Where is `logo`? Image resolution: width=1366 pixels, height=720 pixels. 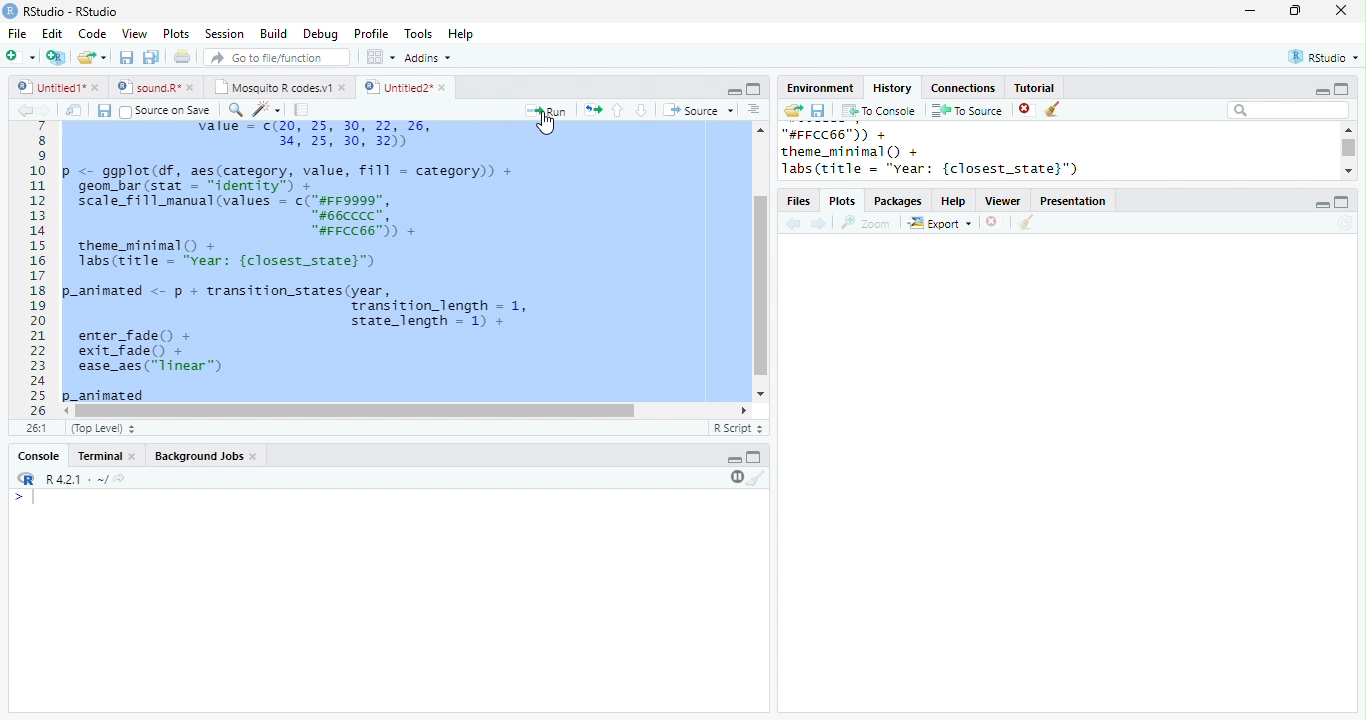
logo is located at coordinates (10, 11).